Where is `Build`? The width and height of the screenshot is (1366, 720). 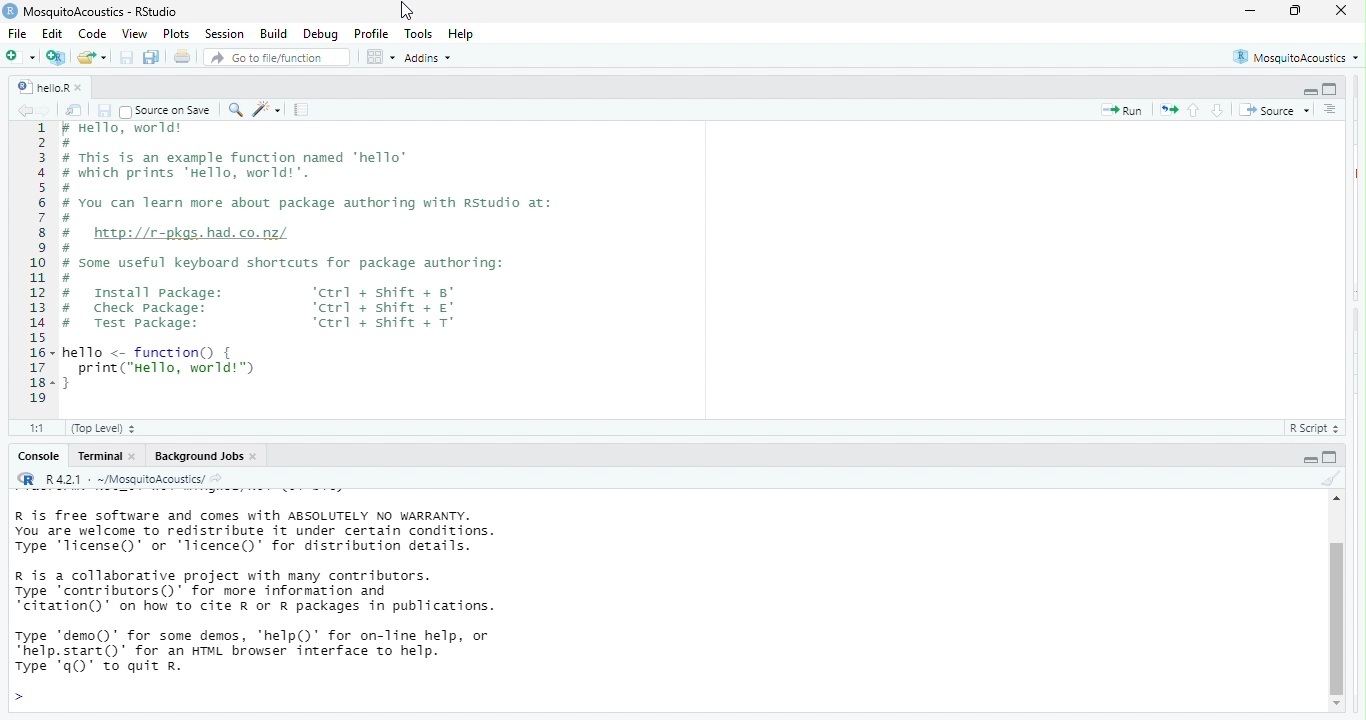 Build is located at coordinates (273, 33).